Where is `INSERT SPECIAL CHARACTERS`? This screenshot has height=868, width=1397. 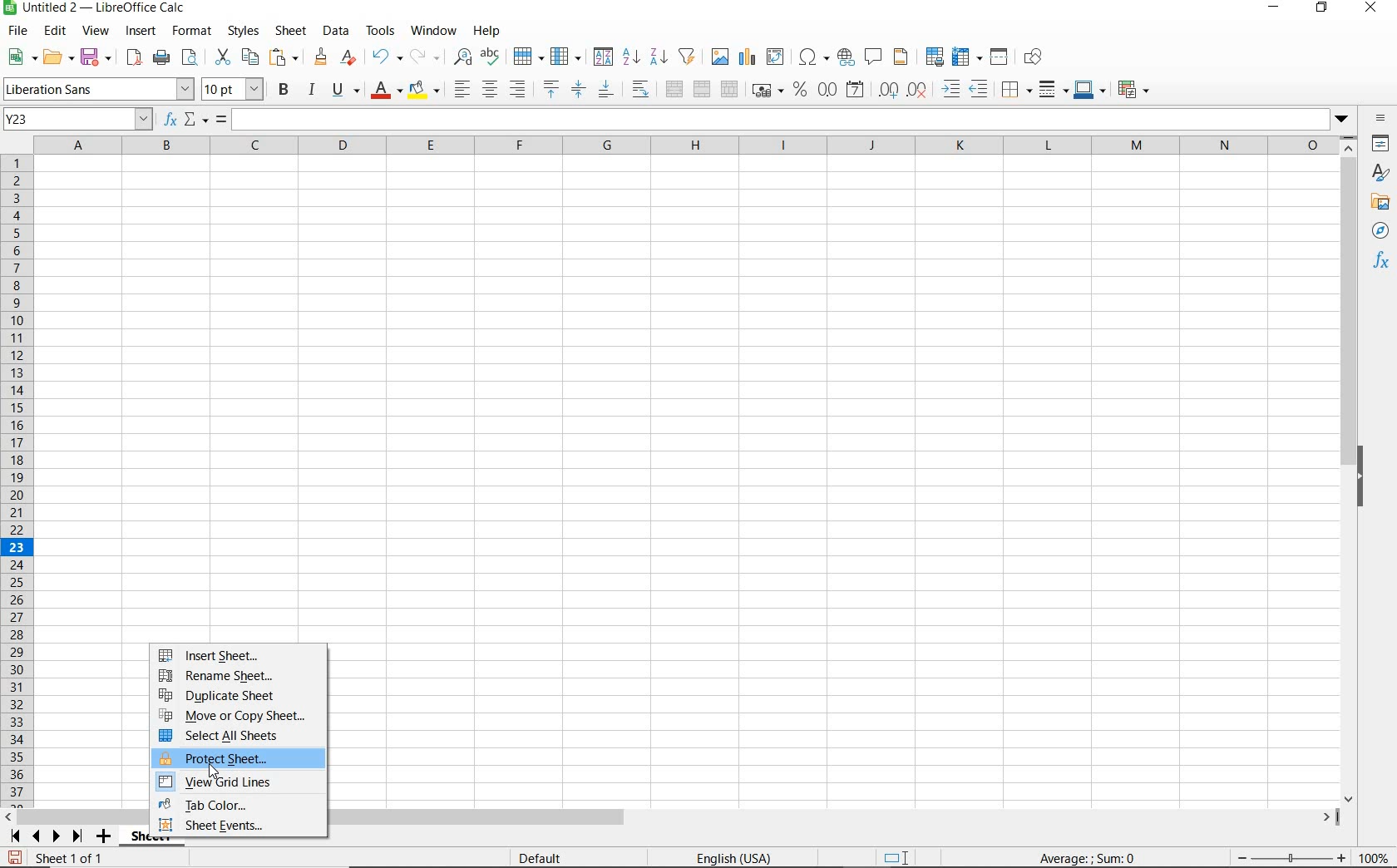
INSERT SPECIAL CHARACTERS is located at coordinates (815, 57).